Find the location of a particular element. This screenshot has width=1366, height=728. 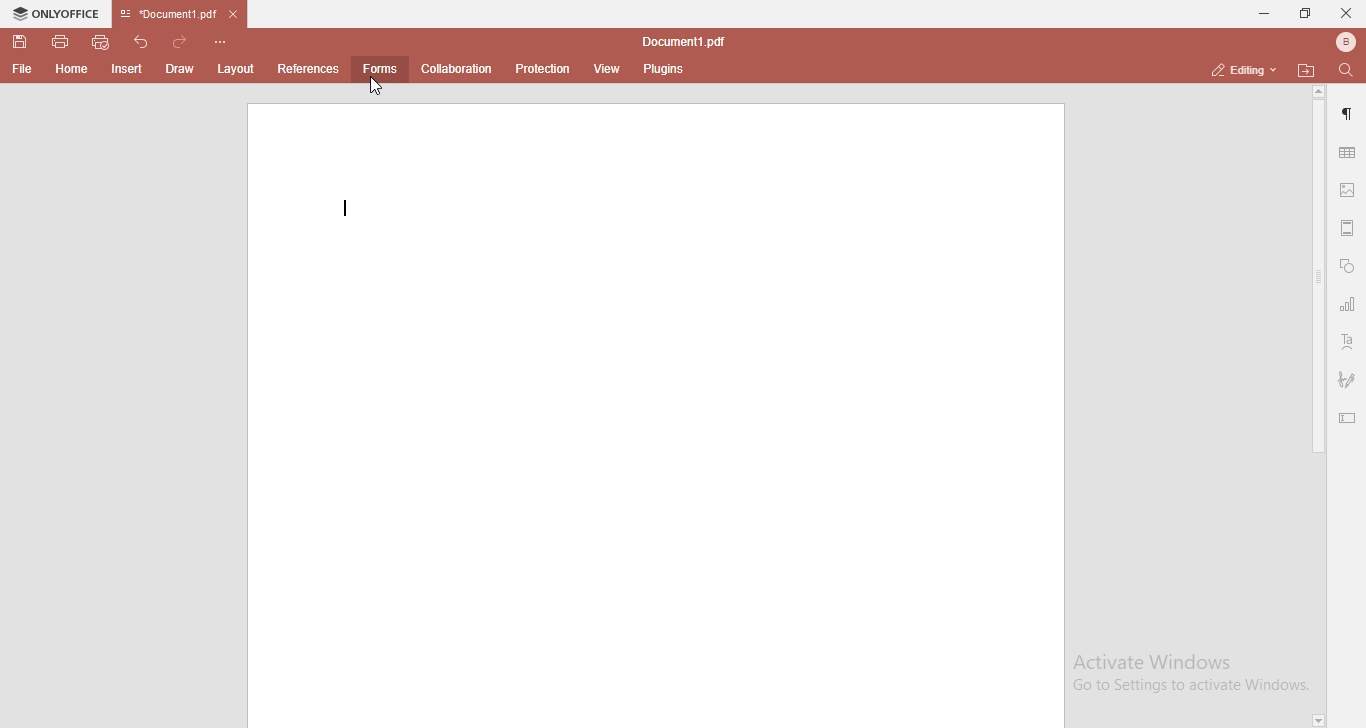

blank page is located at coordinates (653, 415).